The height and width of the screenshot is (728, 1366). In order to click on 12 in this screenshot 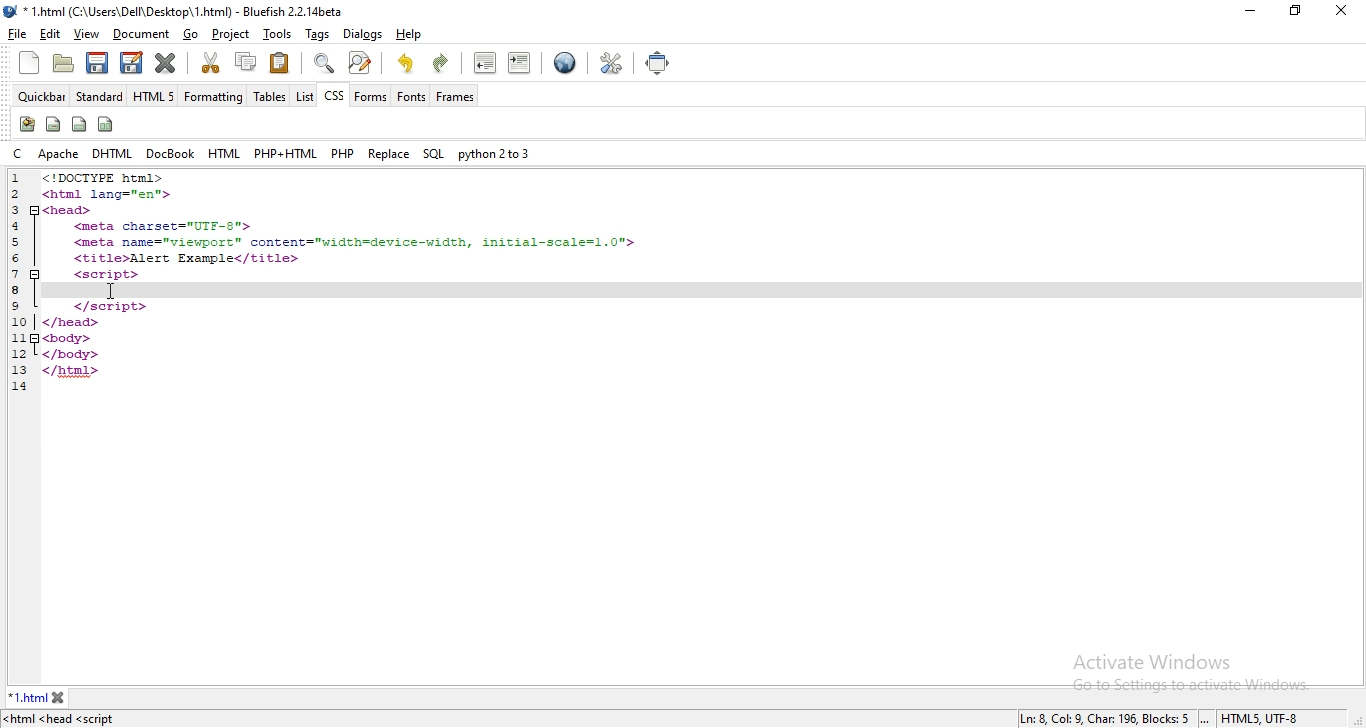, I will do `click(22, 354)`.